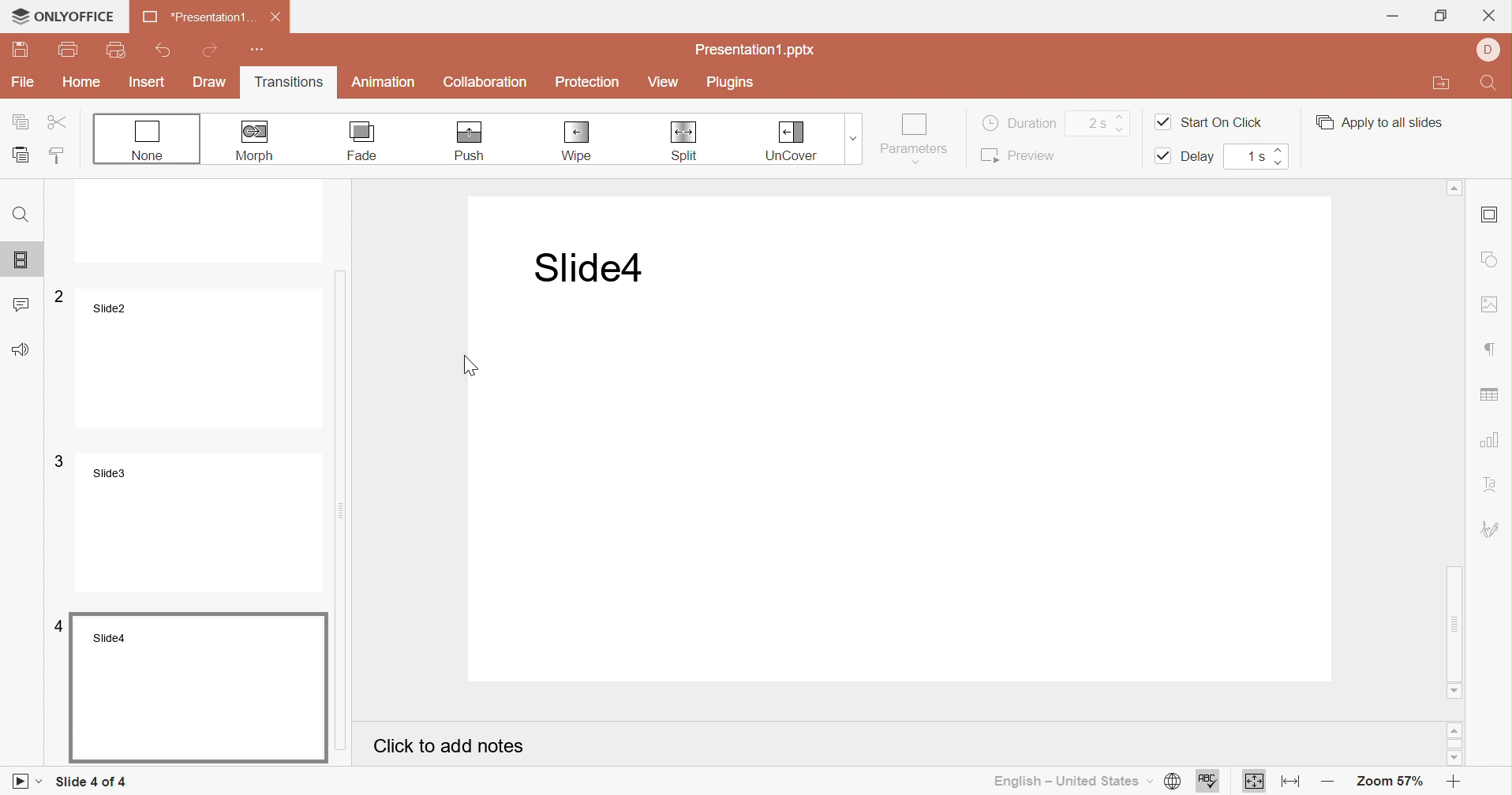 This screenshot has width=1512, height=795. Describe the element at coordinates (188, 225) in the screenshot. I see `Slide1` at that location.